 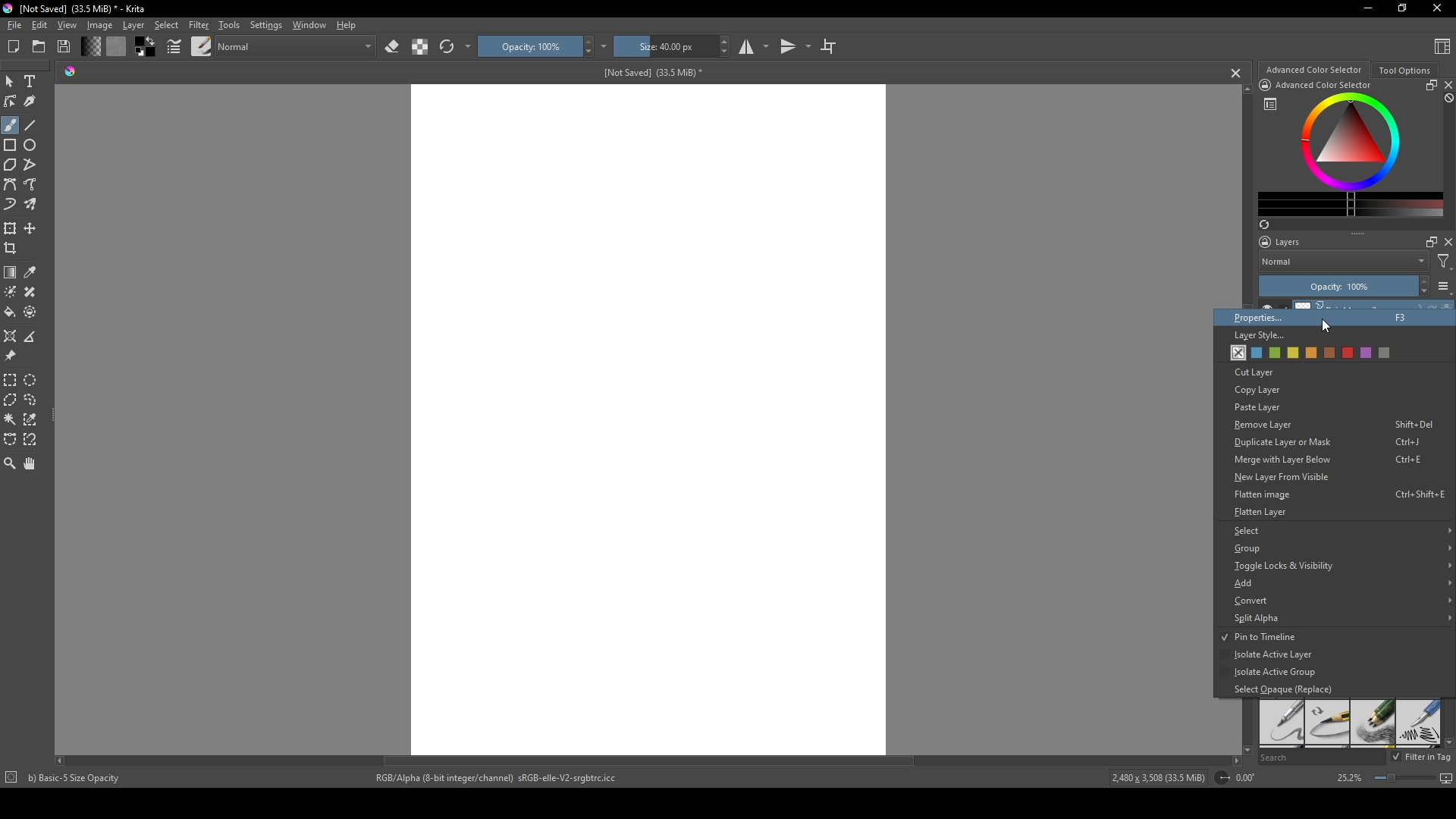 What do you see at coordinates (1260, 638) in the screenshot?
I see `Pin to Timeline` at bounding box center [1260, 638].